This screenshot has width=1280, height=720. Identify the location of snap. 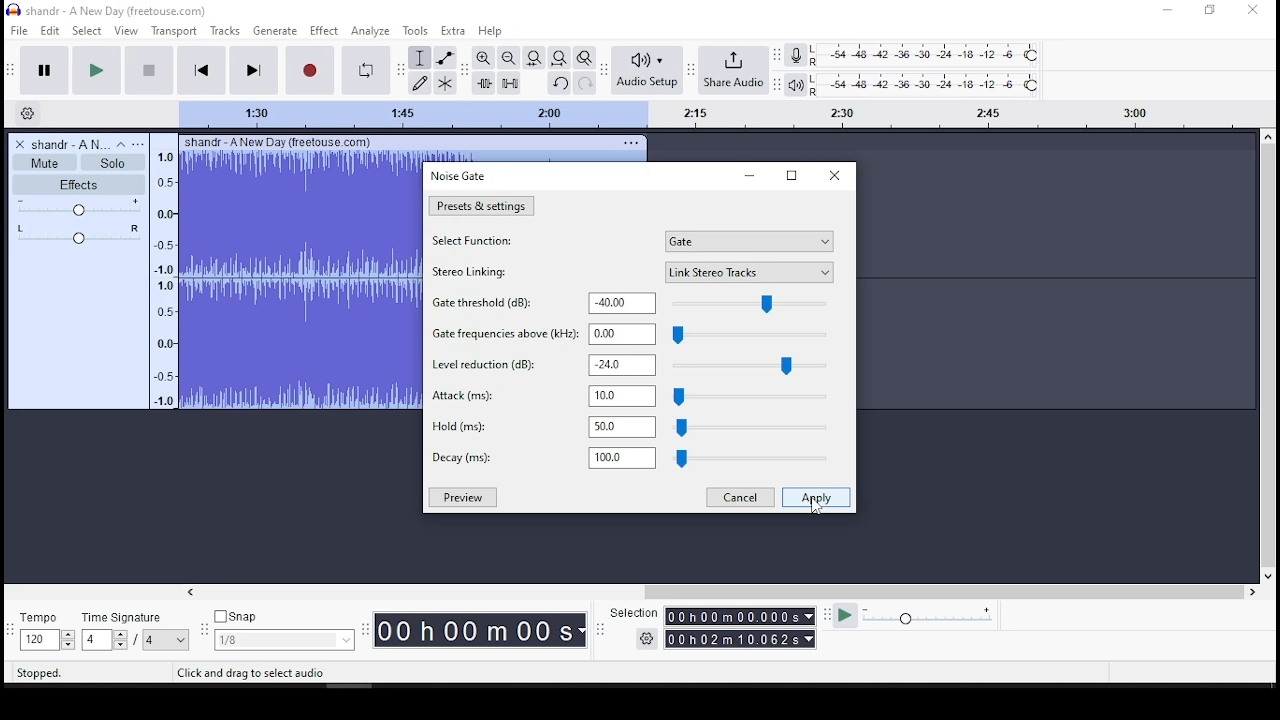
(283, 631).